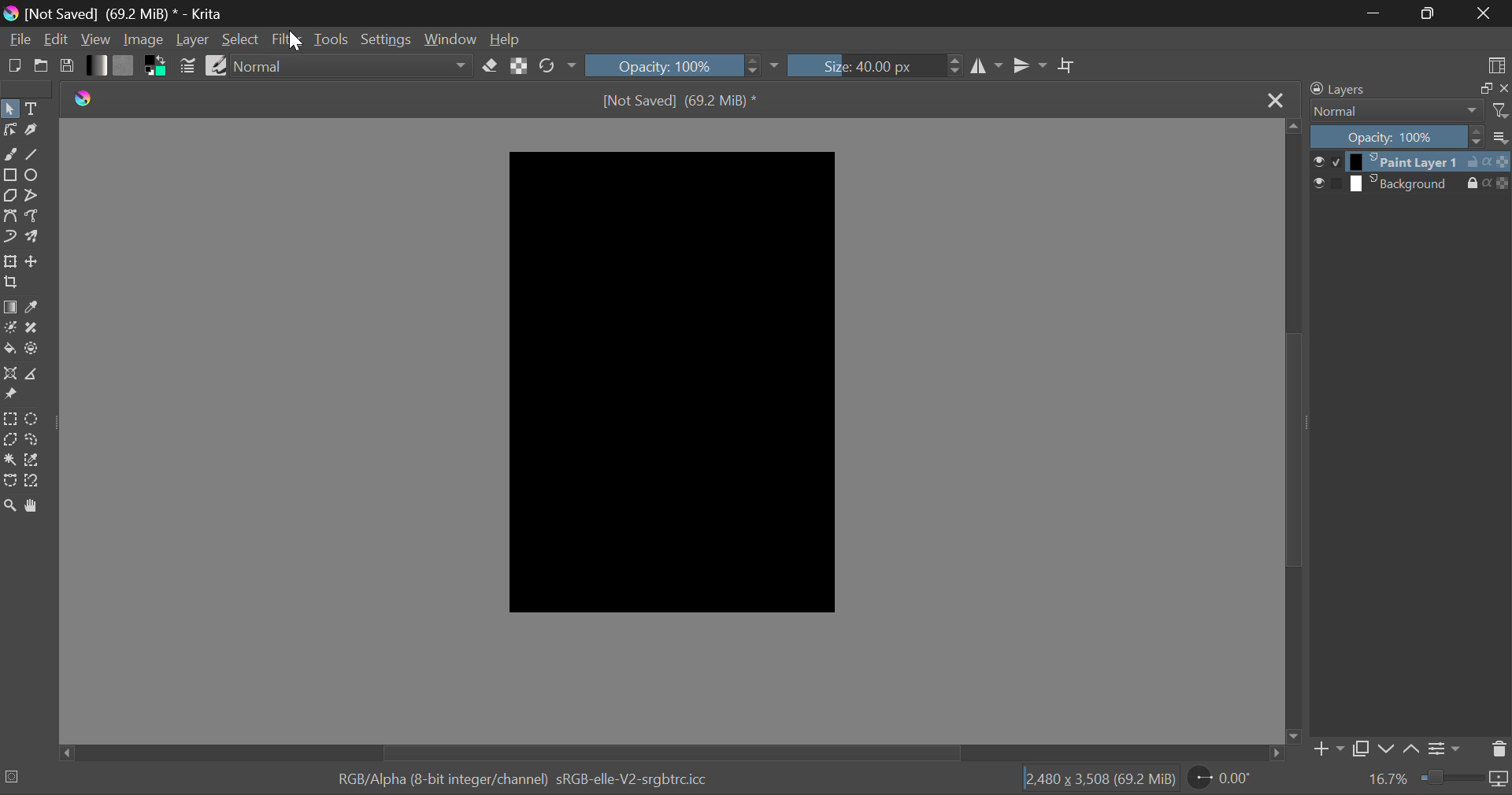 Image resolution: width=1512 pixels, height=795 pixels. I want to click on Crop, so click(1067, 66).